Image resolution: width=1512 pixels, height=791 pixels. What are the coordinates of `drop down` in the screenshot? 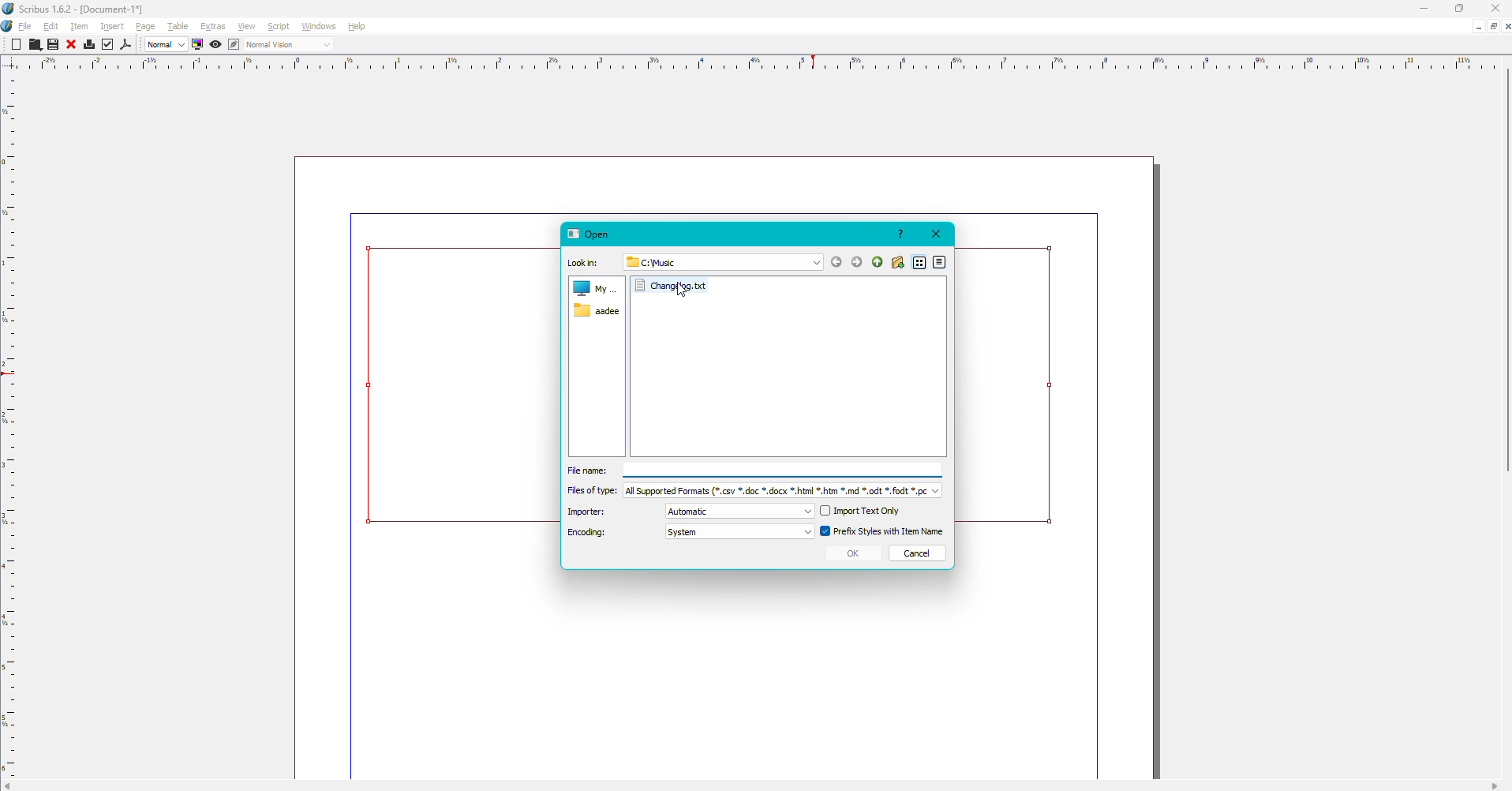 It's located at (815, 264).